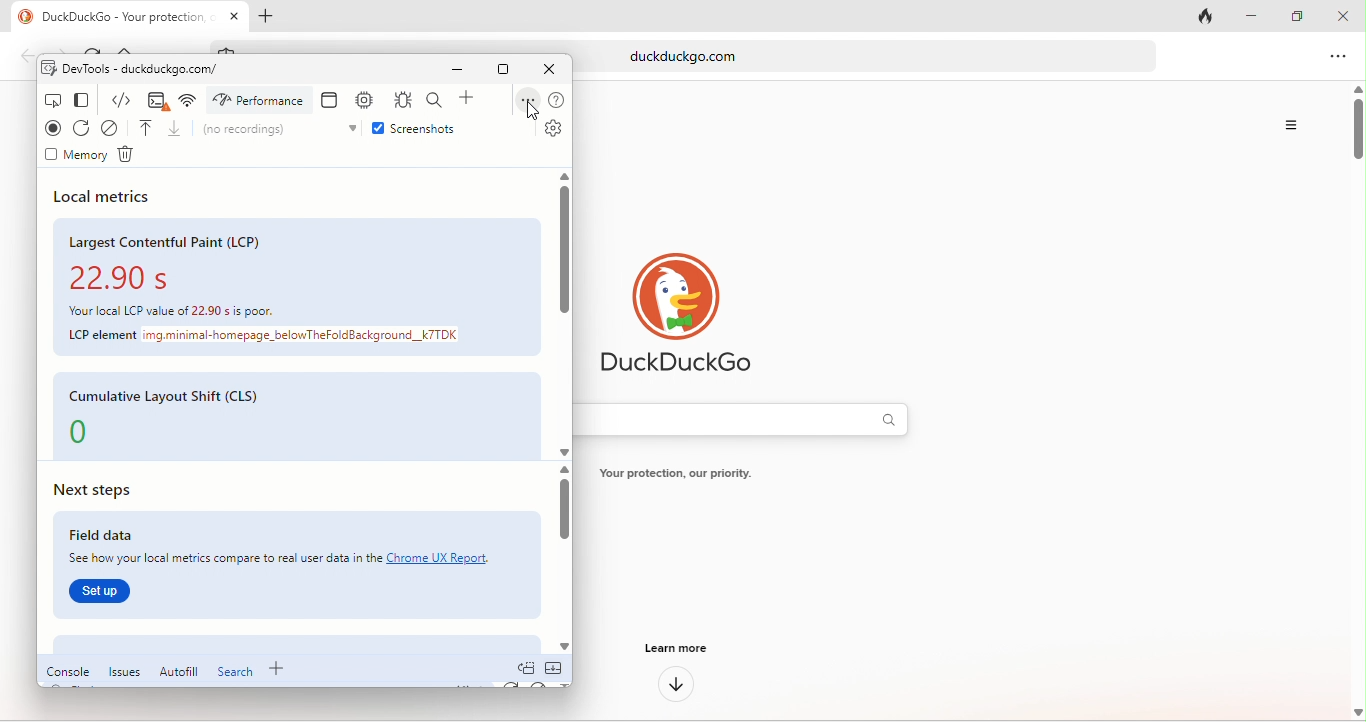  I want to click on search bar, so click(757, 420).